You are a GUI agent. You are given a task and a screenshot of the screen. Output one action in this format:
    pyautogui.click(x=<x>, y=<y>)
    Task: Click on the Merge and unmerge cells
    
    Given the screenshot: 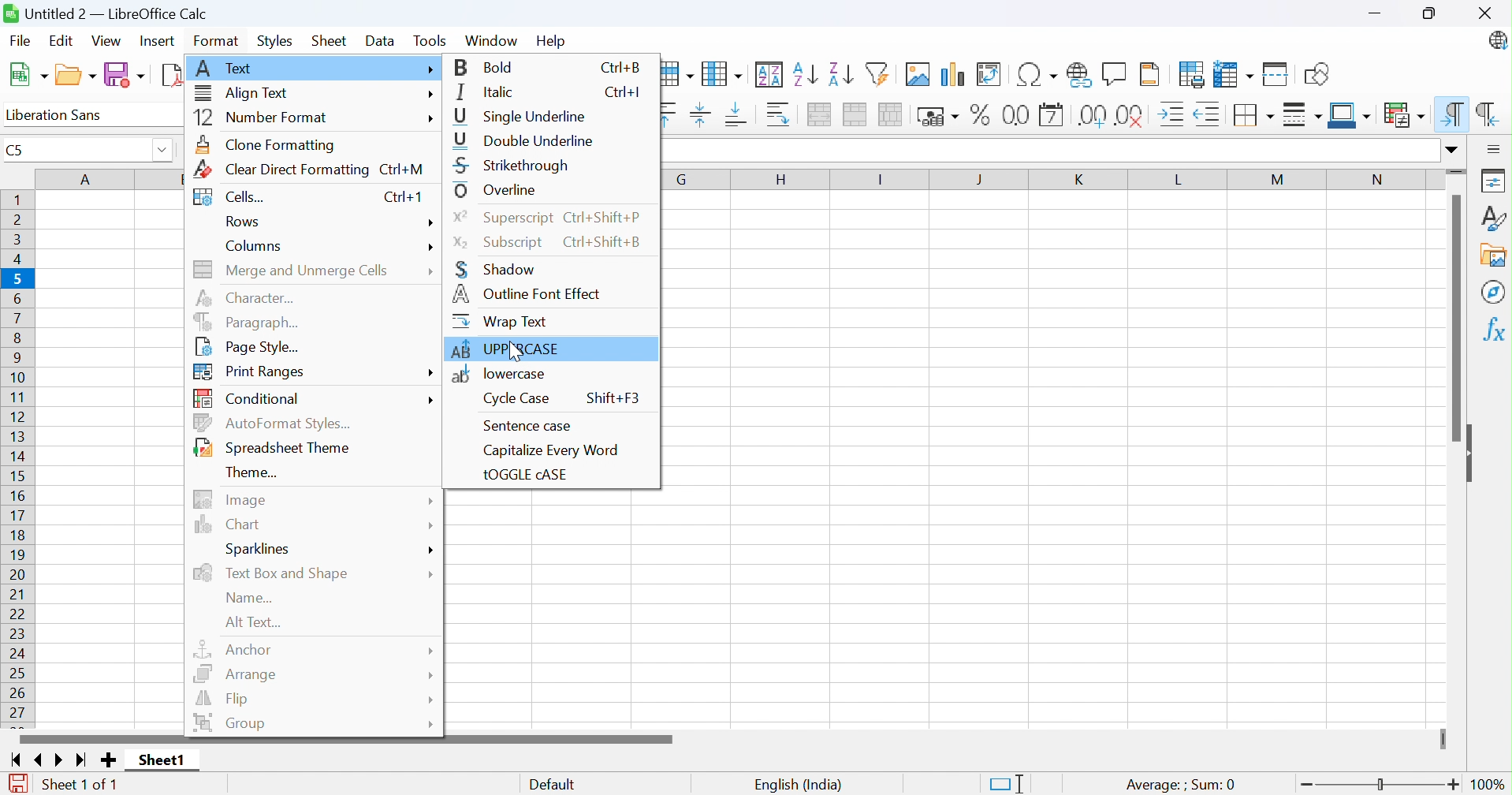 What is the action you would take?
    pyautogui.click(x=294, y=269)
    